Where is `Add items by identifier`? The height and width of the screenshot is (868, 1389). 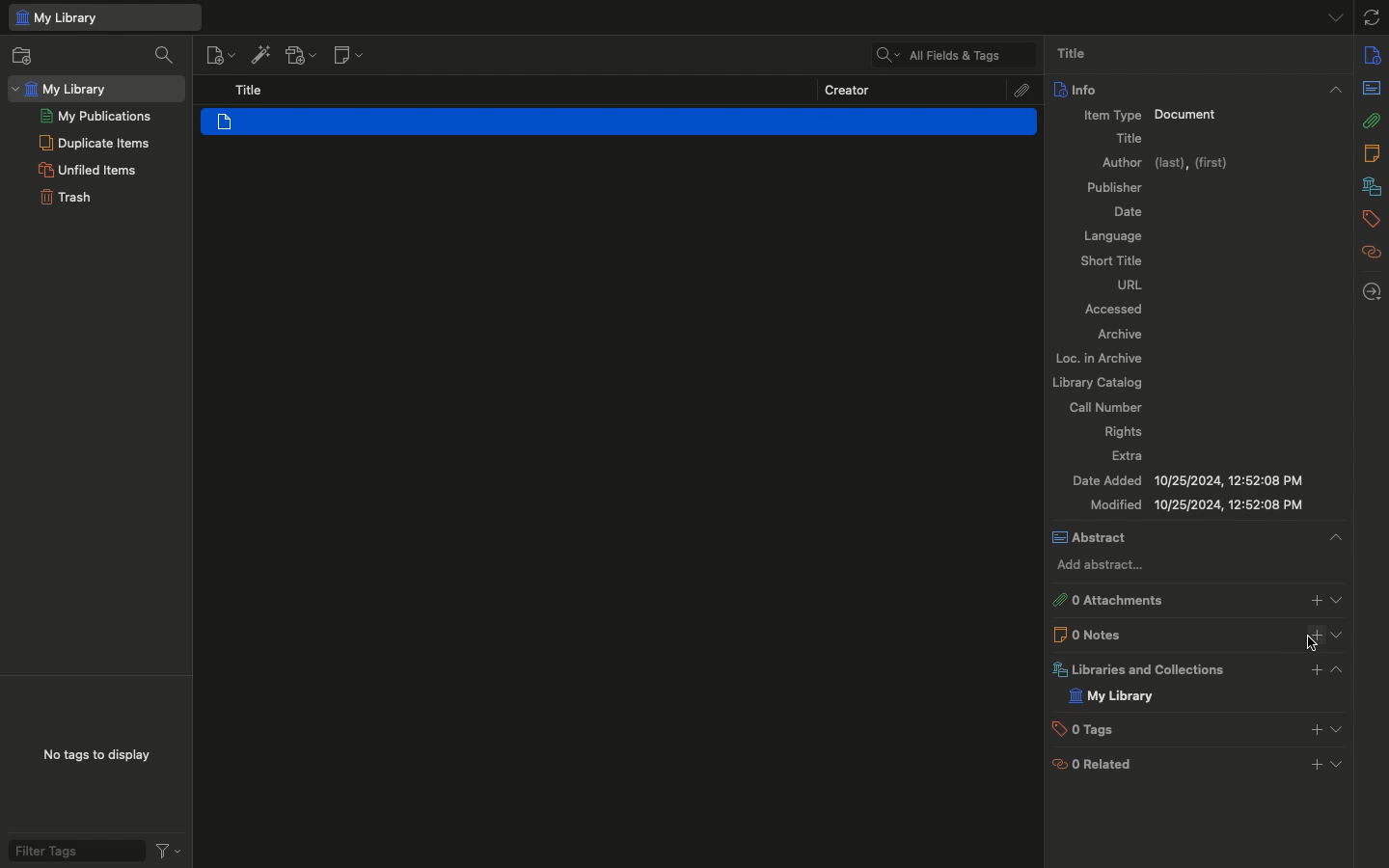 Add items by identifier is located at coordinates (259, 55).